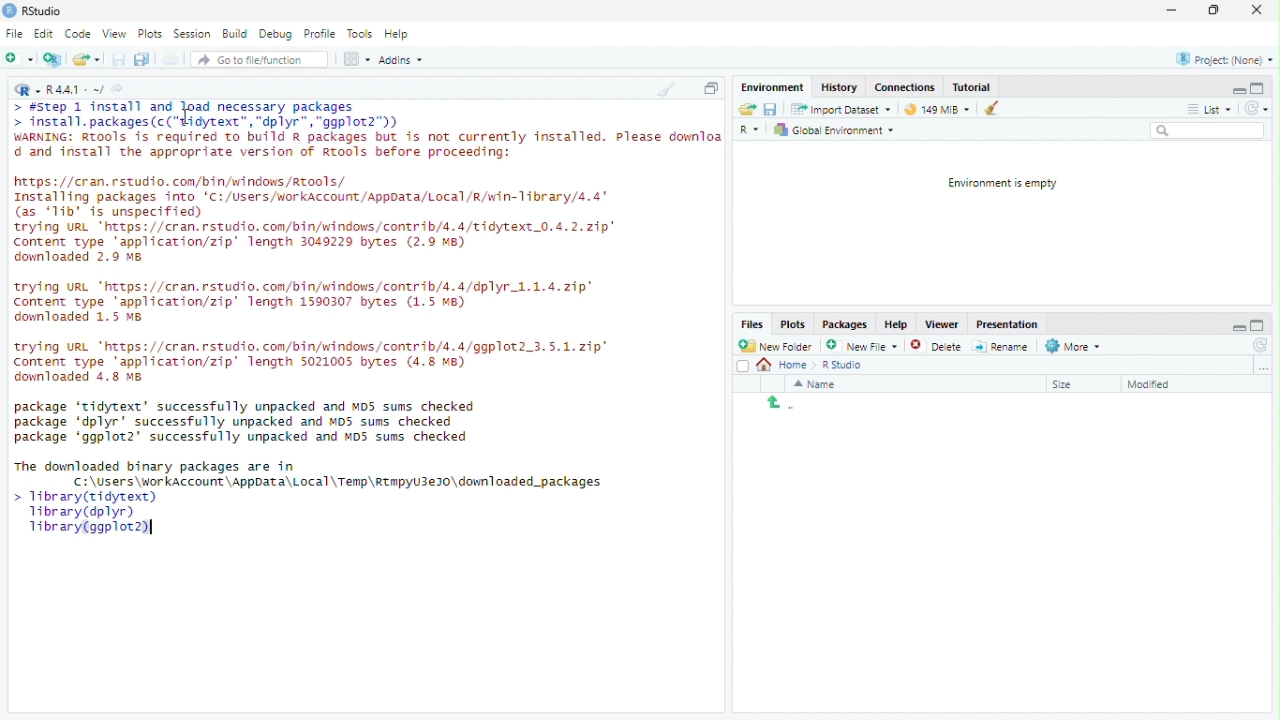 This screenshot has height=720, width=1280. What do you see at coordinates (251, 422) in the screenshot?
I see `package ‘tidytext’ successfully unpacked and D5 sums checked
package ‘dplyr’ successfully unpacked and MDS sums checked
package ‘ggplot2’ successfully unpacked and MDS sums checked` at bounding box center [251, 422].